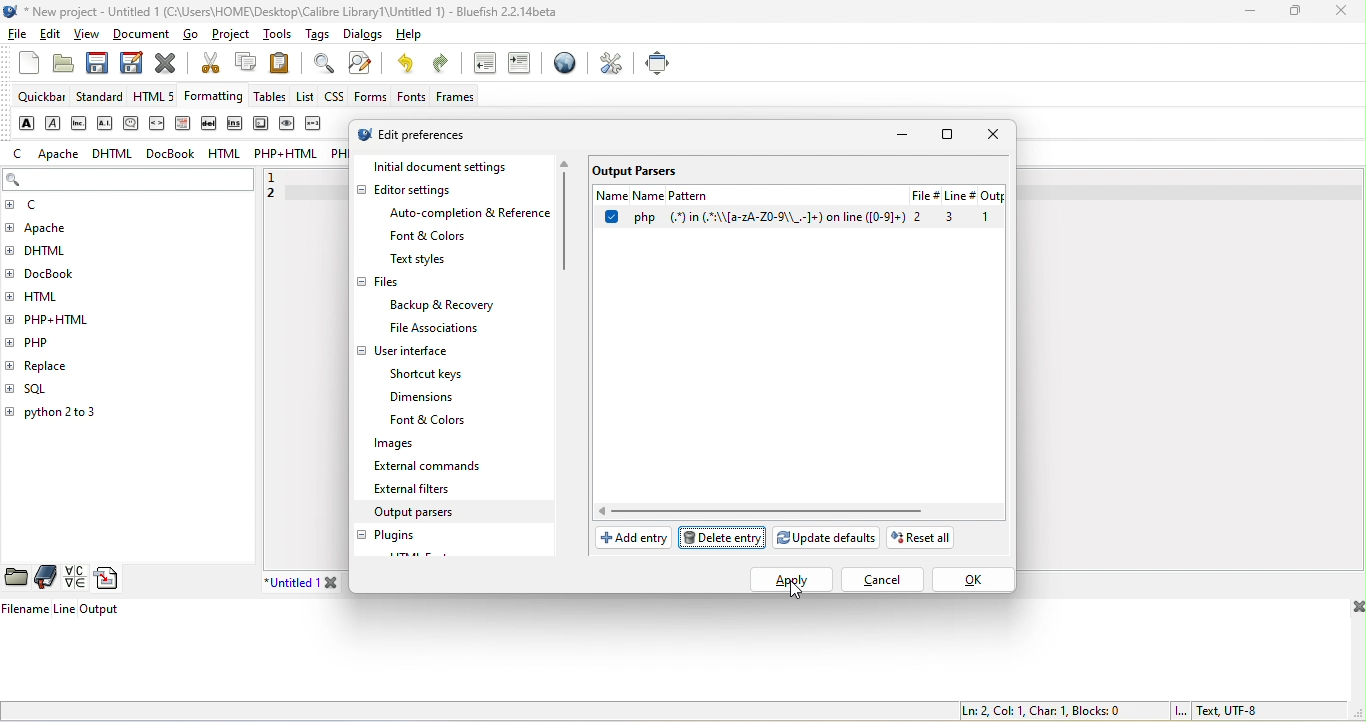 The height and width of the screenshot is (722, 1366). Describe the element at coordinates (49, 340) in the screenshot. I see `php` at that location.